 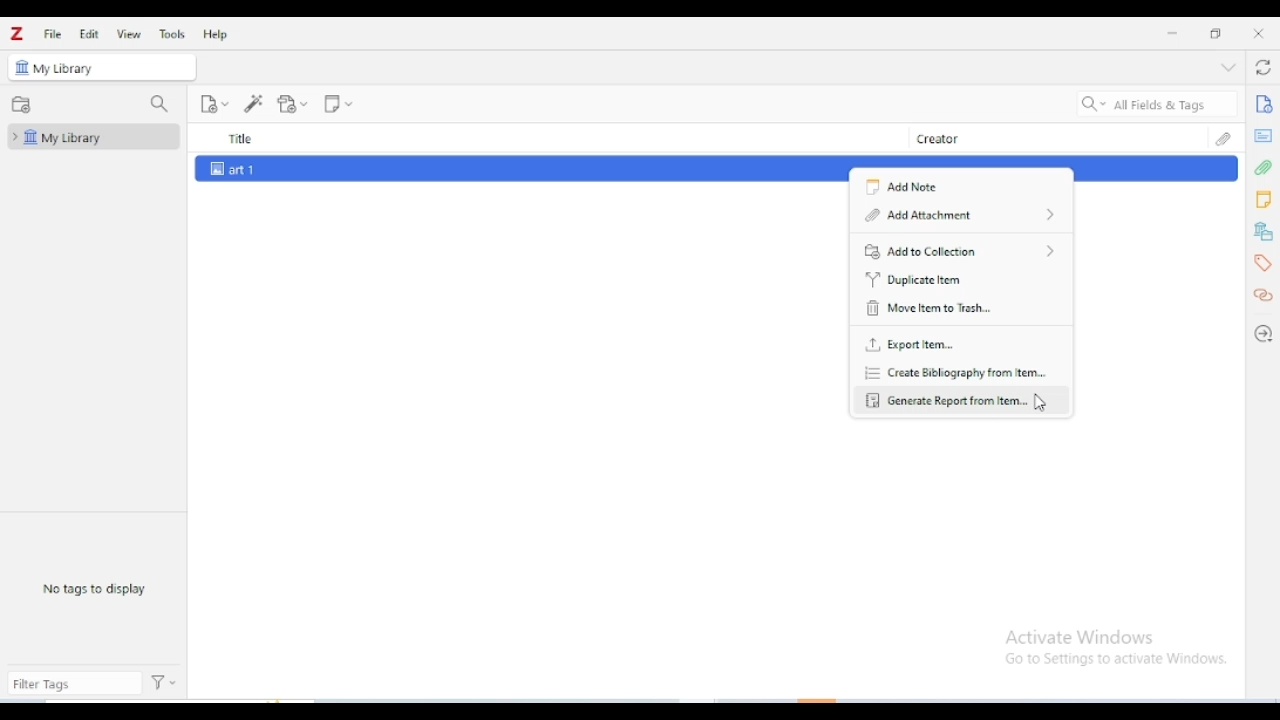 What do you see at coordinates (1056, 137) in the screenshot?
I see `creator` at bounding box center [1056, 137].